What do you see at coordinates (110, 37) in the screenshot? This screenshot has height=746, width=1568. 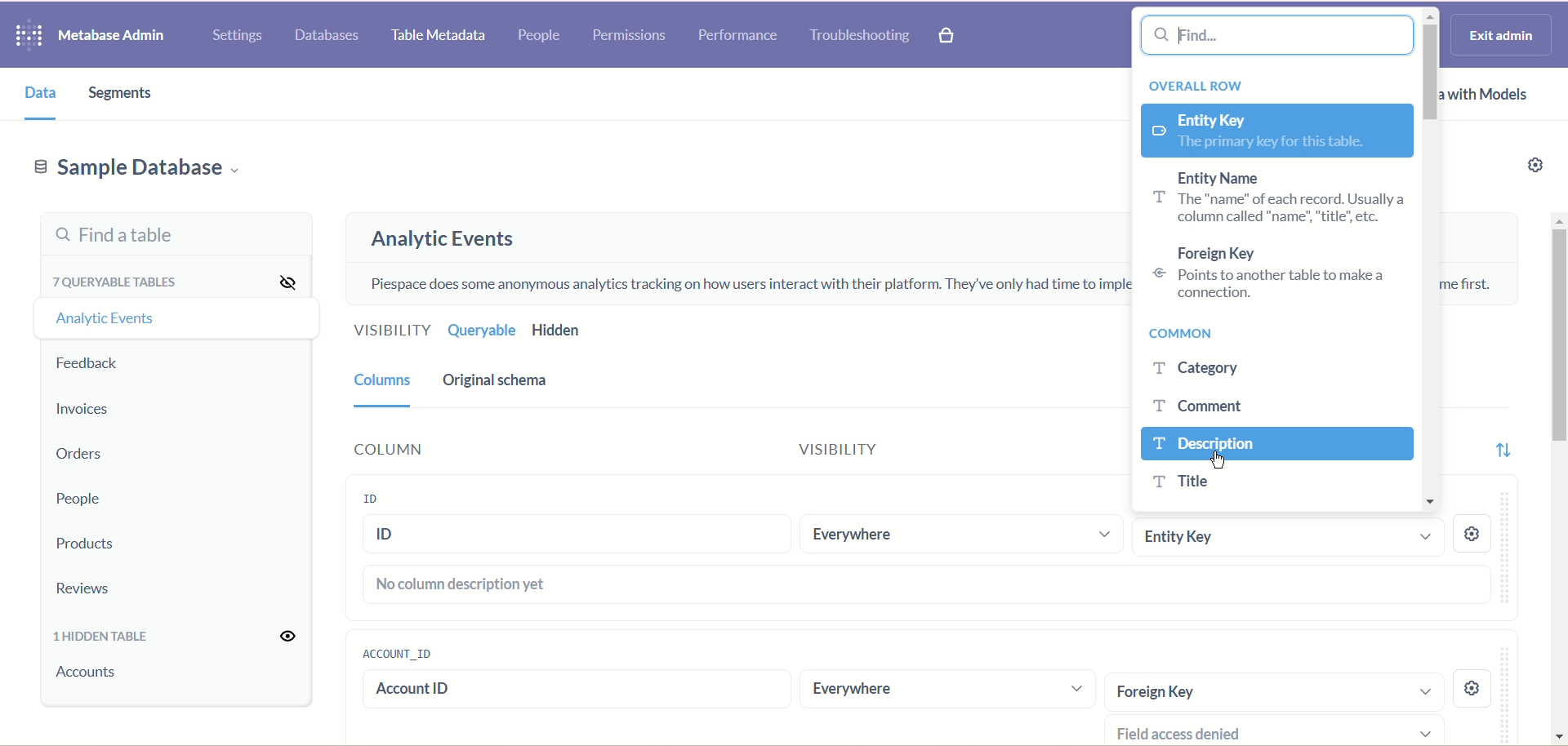 I see `metabase admin` at bounding box center [110, 37].